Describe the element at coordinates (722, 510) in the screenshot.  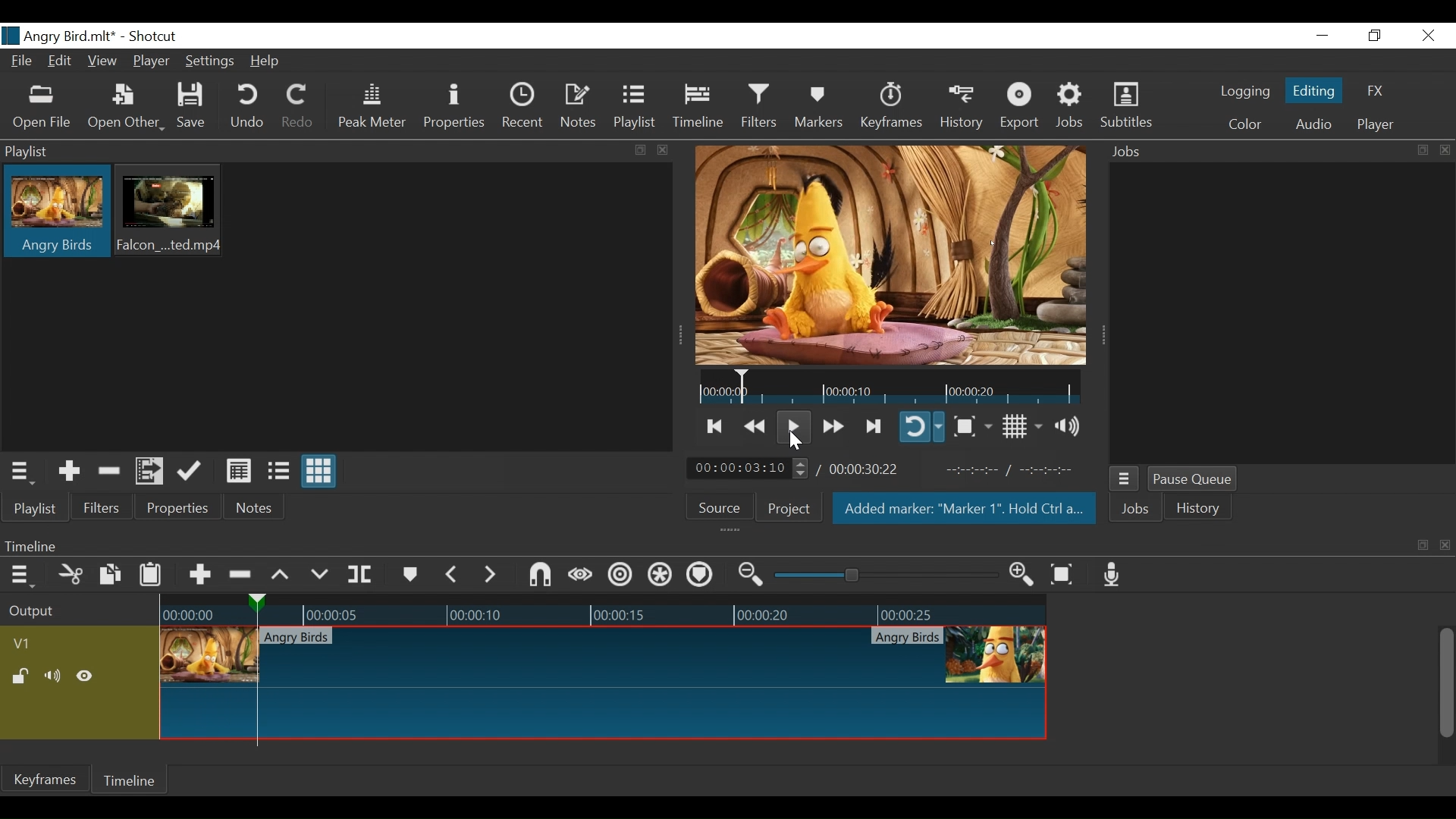
I see `Source` at that location.